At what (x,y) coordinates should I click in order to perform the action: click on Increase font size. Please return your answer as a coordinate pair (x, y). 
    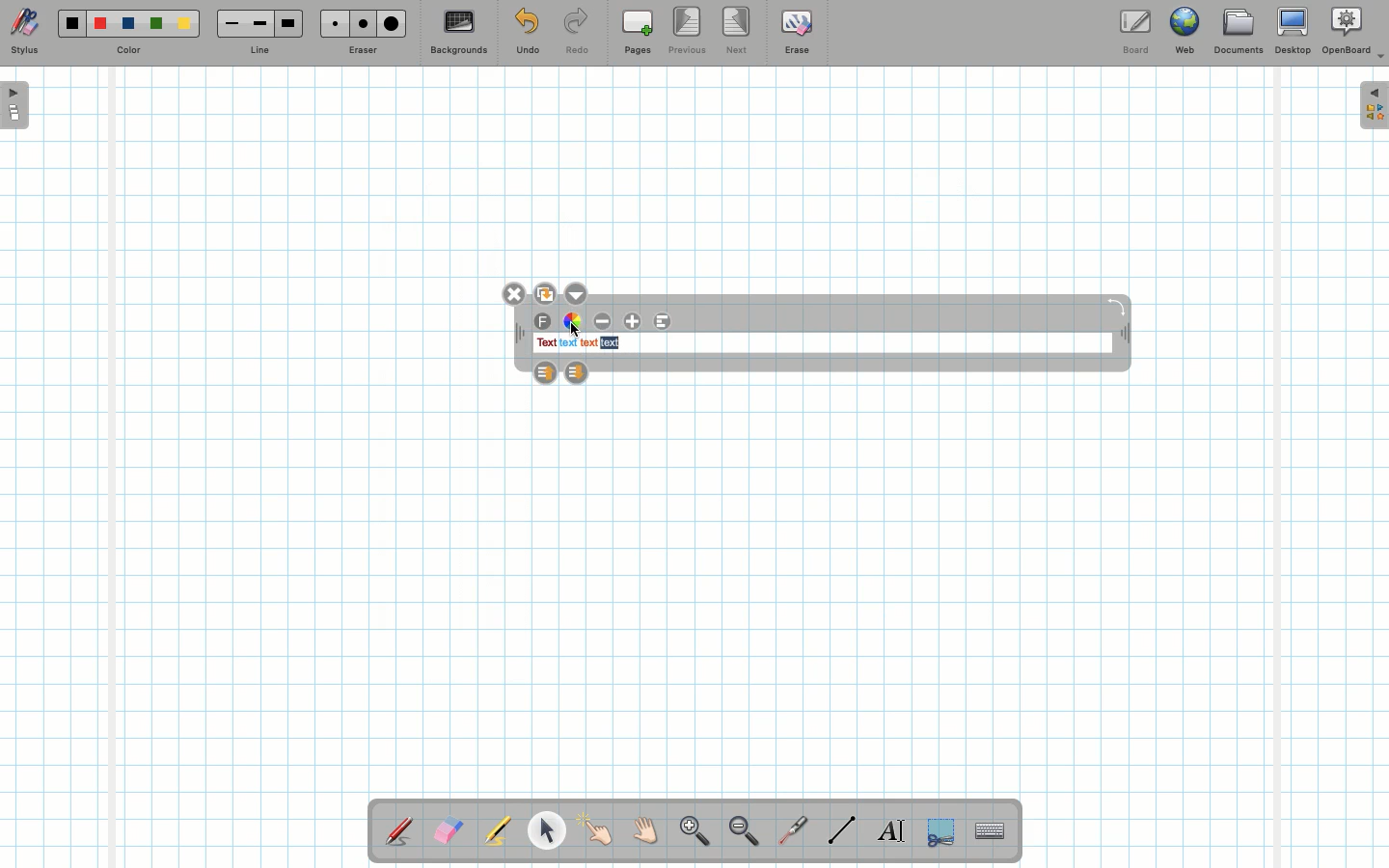
    Looking at the image, I should click on (635, 321).